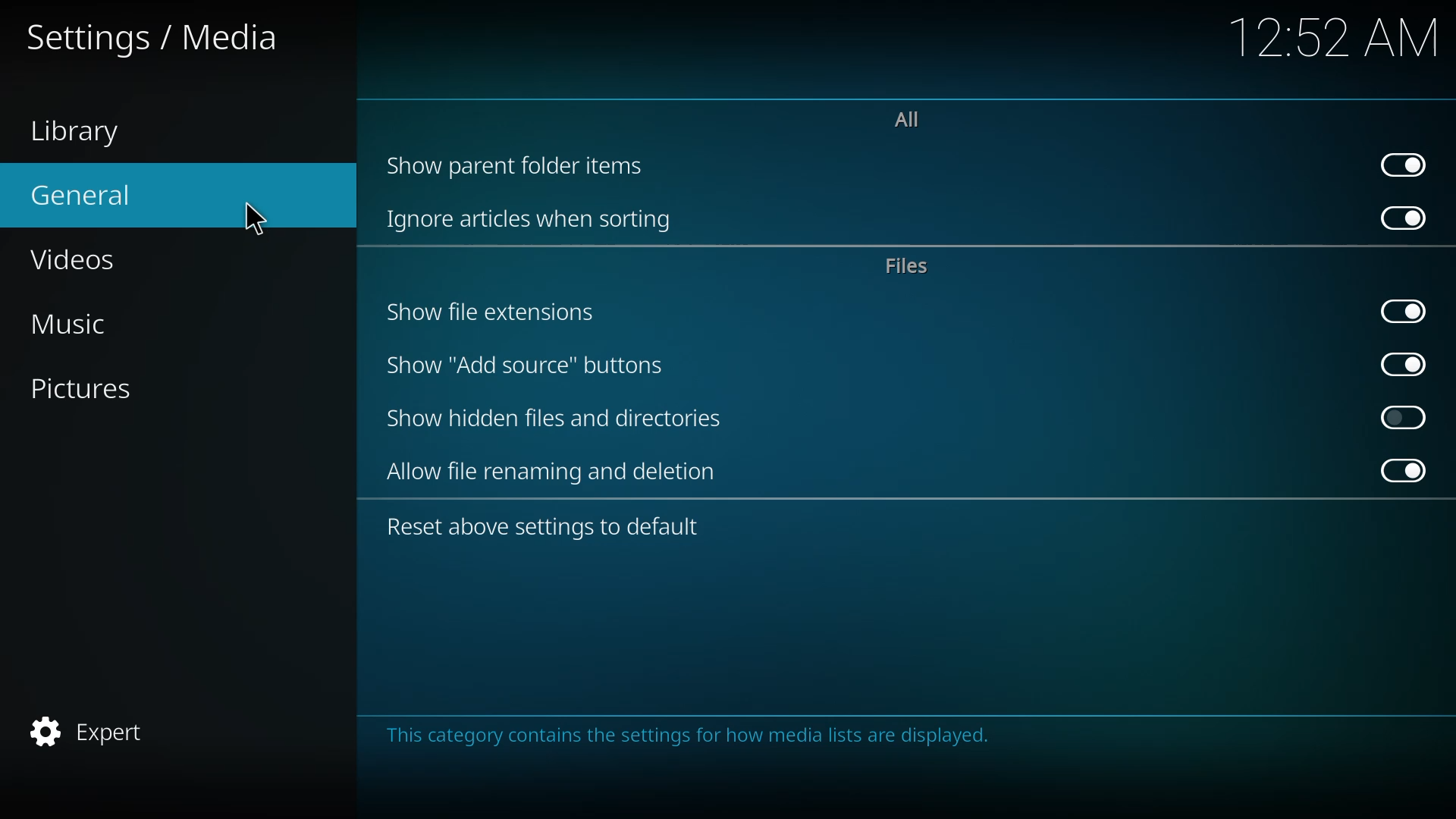  Describe the element at coordinates (91, 196) in the screenshot. I see `general` at that location.